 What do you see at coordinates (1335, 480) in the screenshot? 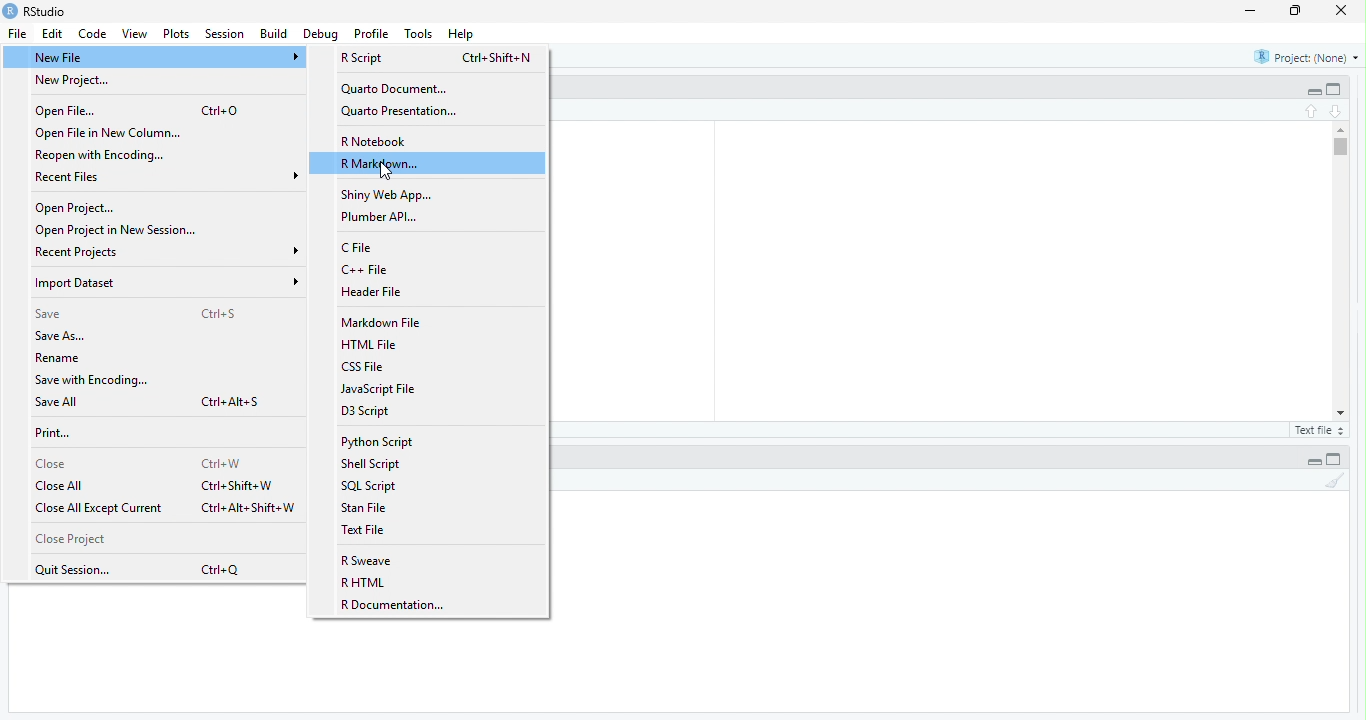
I see `clean` at bounding box center [1335, 480].